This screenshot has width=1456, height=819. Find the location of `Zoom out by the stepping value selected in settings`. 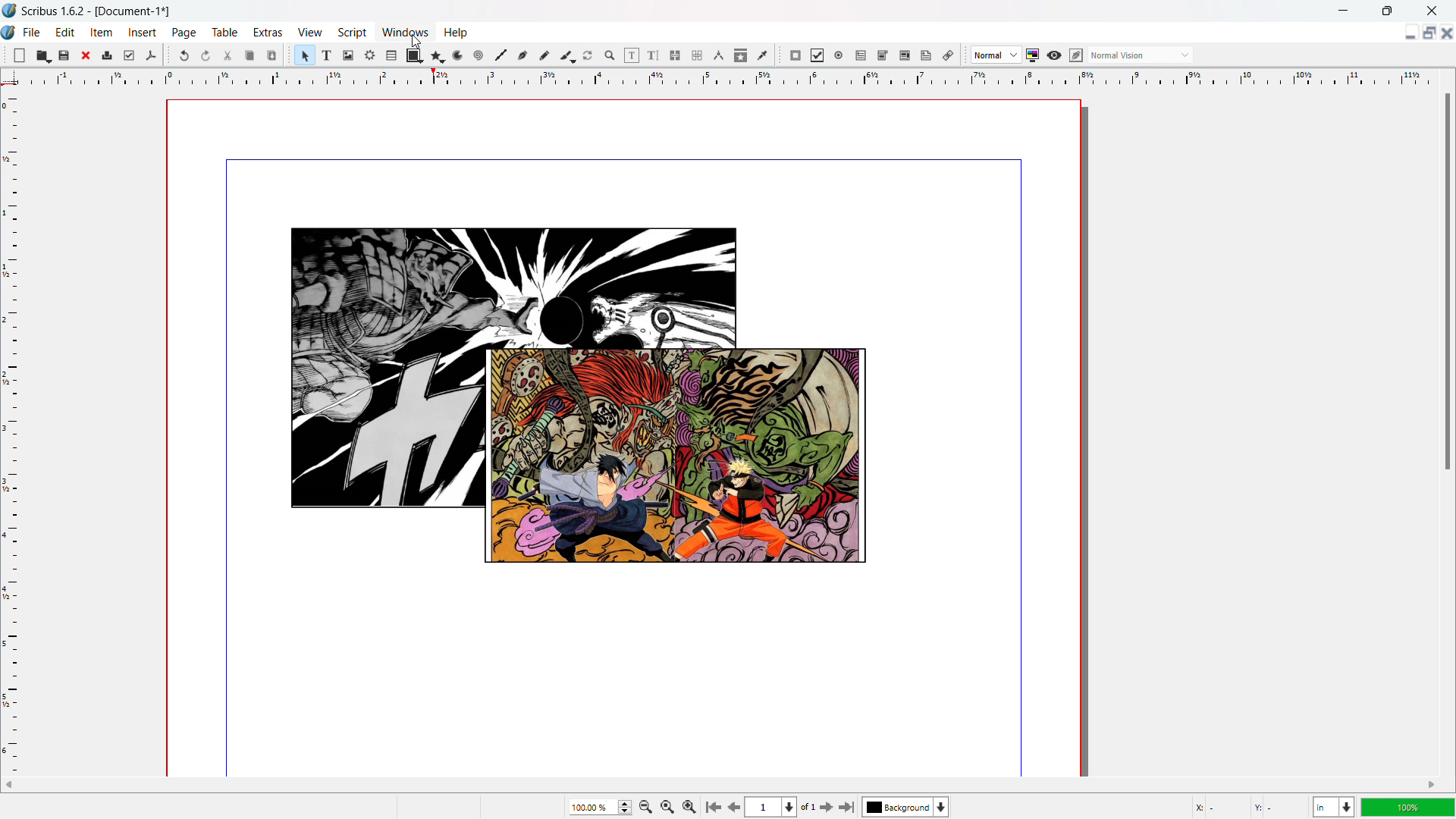

Zoom out by the stepping value selected in settings is located at coordinates (689, 805).